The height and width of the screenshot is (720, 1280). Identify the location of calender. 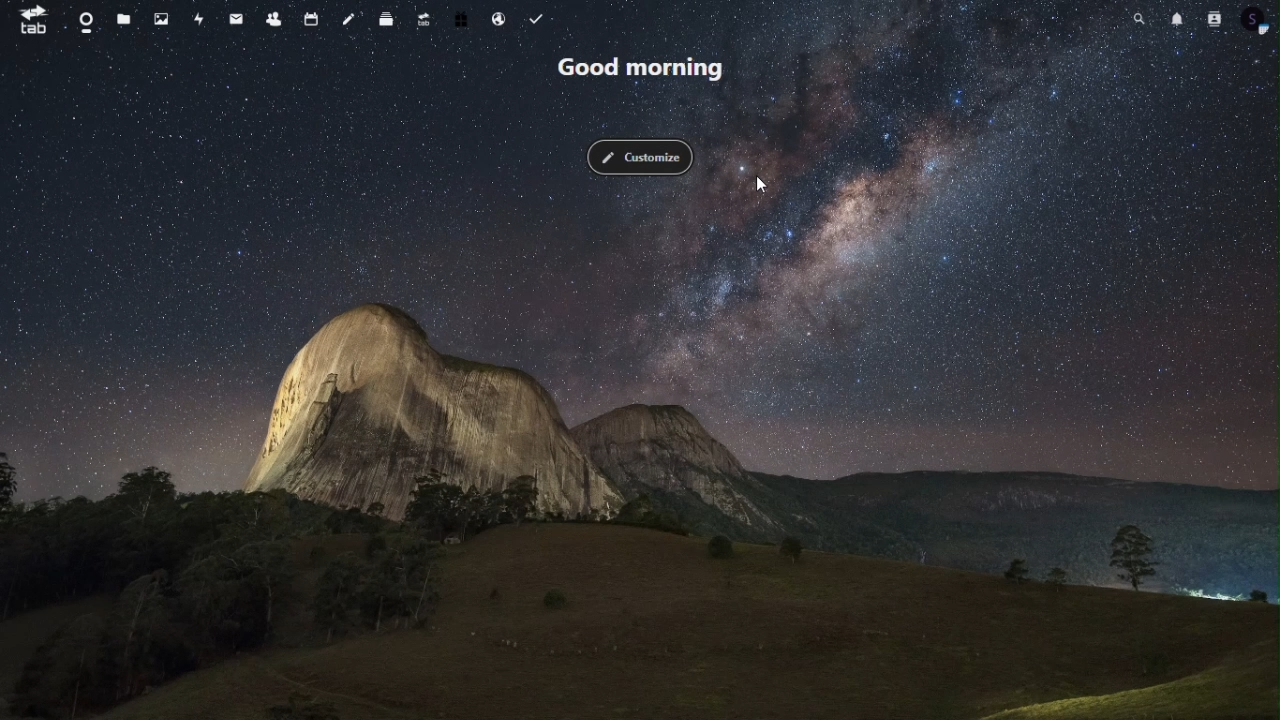
(313, 21).